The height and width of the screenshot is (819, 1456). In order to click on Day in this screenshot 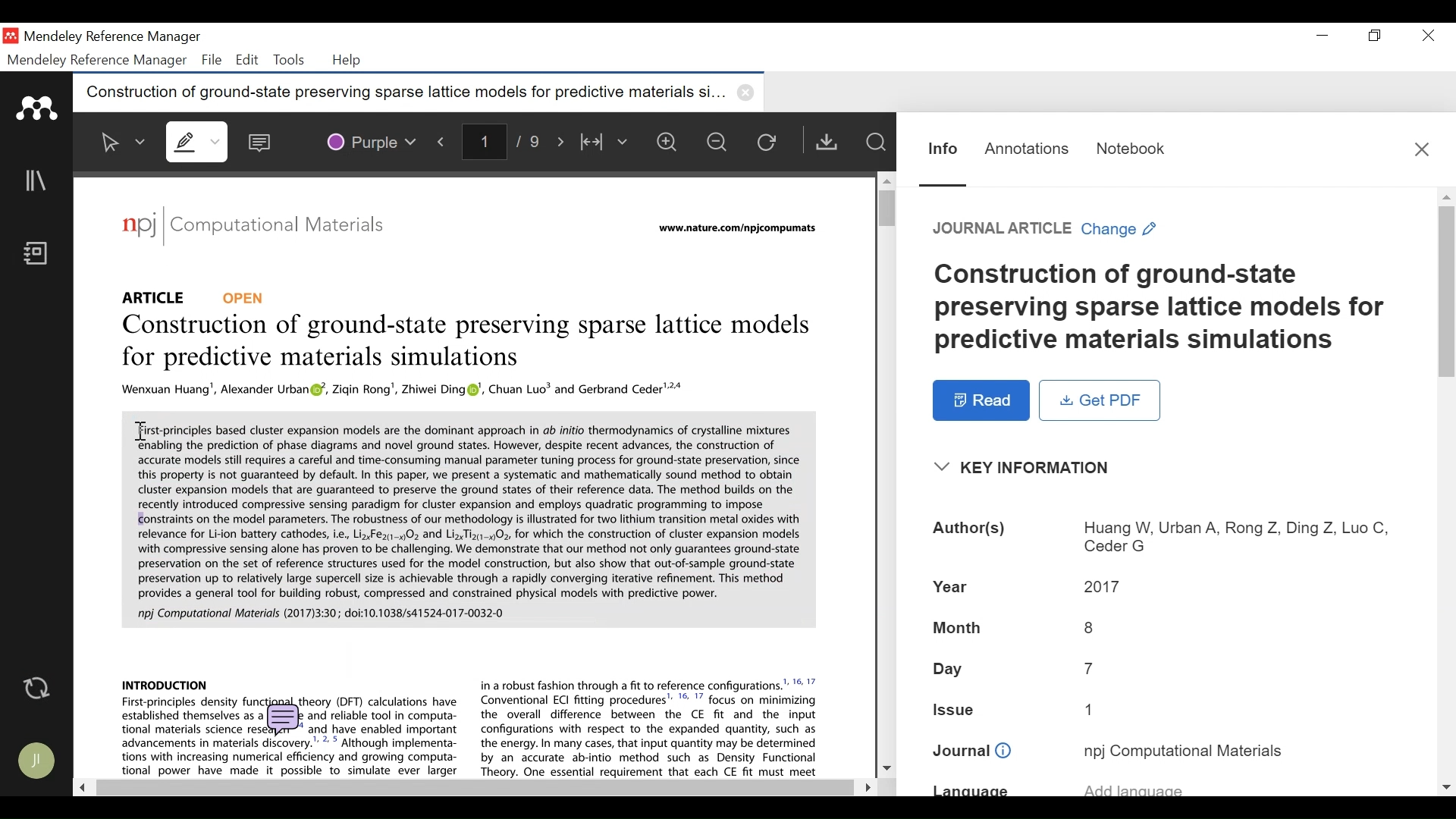, I will do `click(950, 670)`.